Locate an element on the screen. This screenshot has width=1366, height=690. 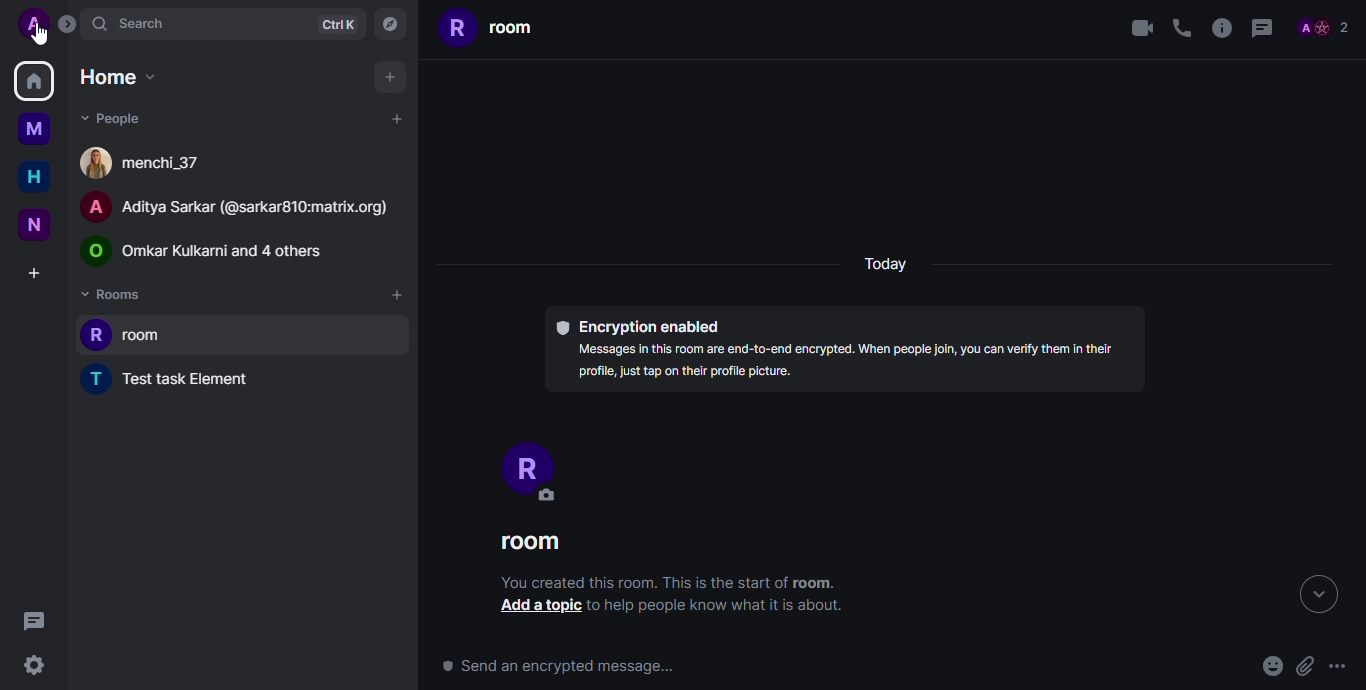
explore is located at coordinates (388, 23).